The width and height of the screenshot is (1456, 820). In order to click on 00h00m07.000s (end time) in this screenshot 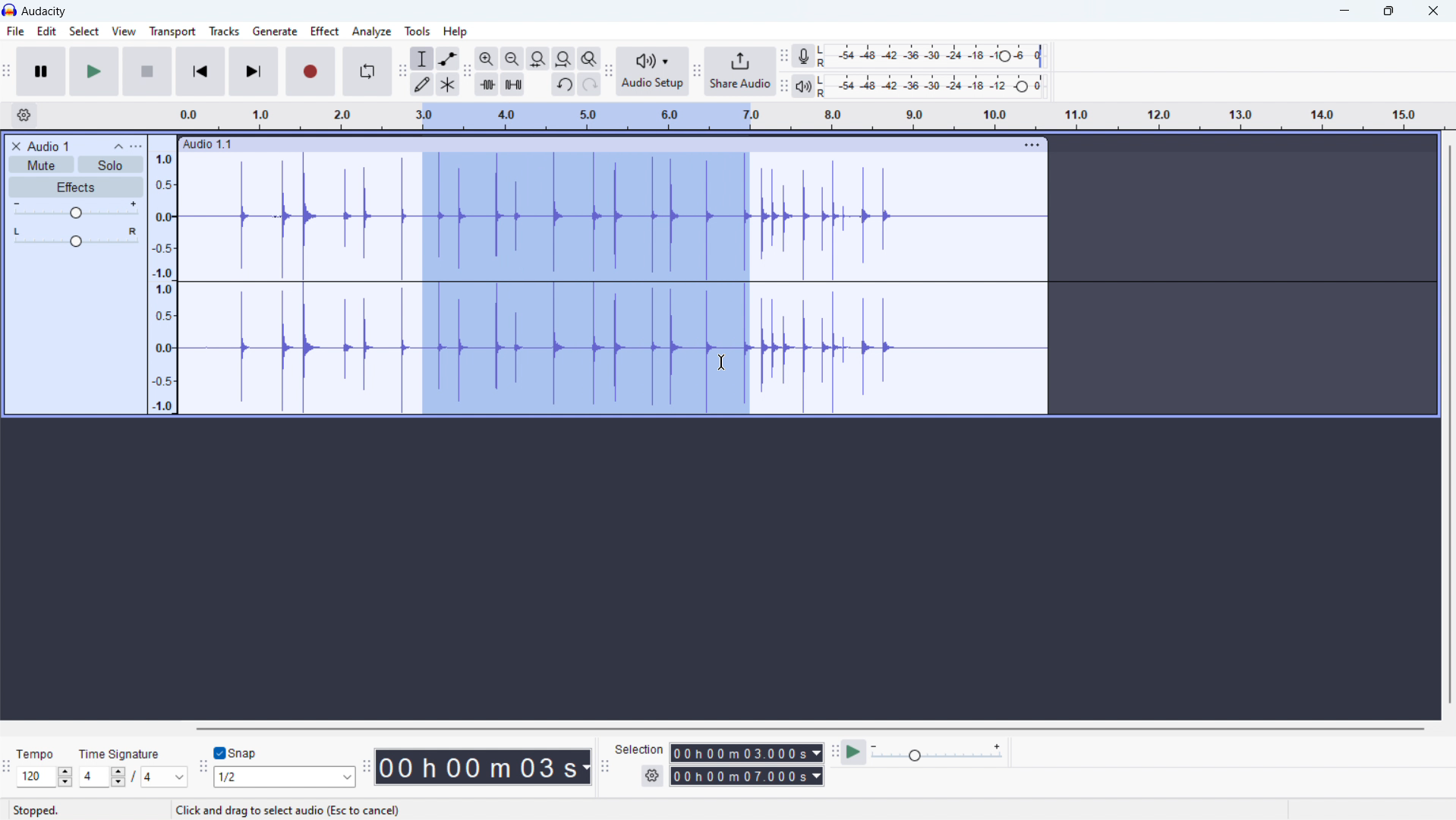, I will do `click(745, 775)`.